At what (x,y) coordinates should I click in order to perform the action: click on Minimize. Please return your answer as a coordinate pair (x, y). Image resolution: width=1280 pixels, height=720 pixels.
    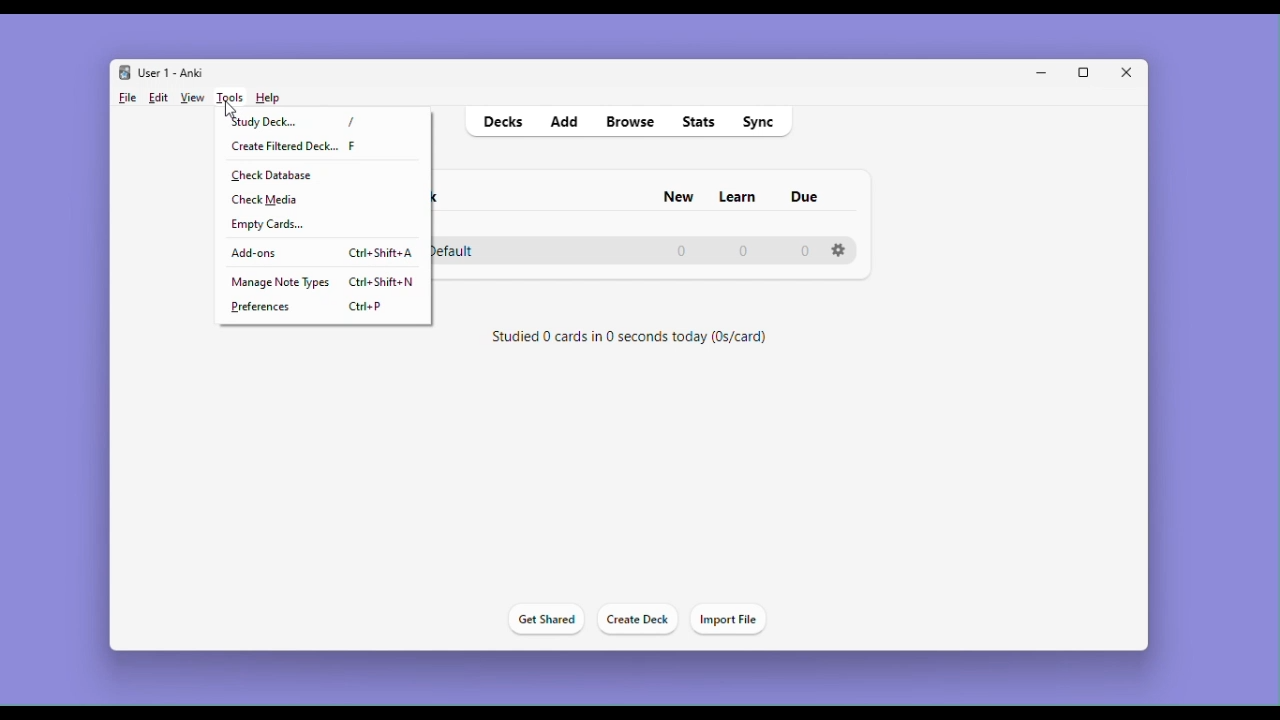
    Looking at the image, I should click on (1044, 73).